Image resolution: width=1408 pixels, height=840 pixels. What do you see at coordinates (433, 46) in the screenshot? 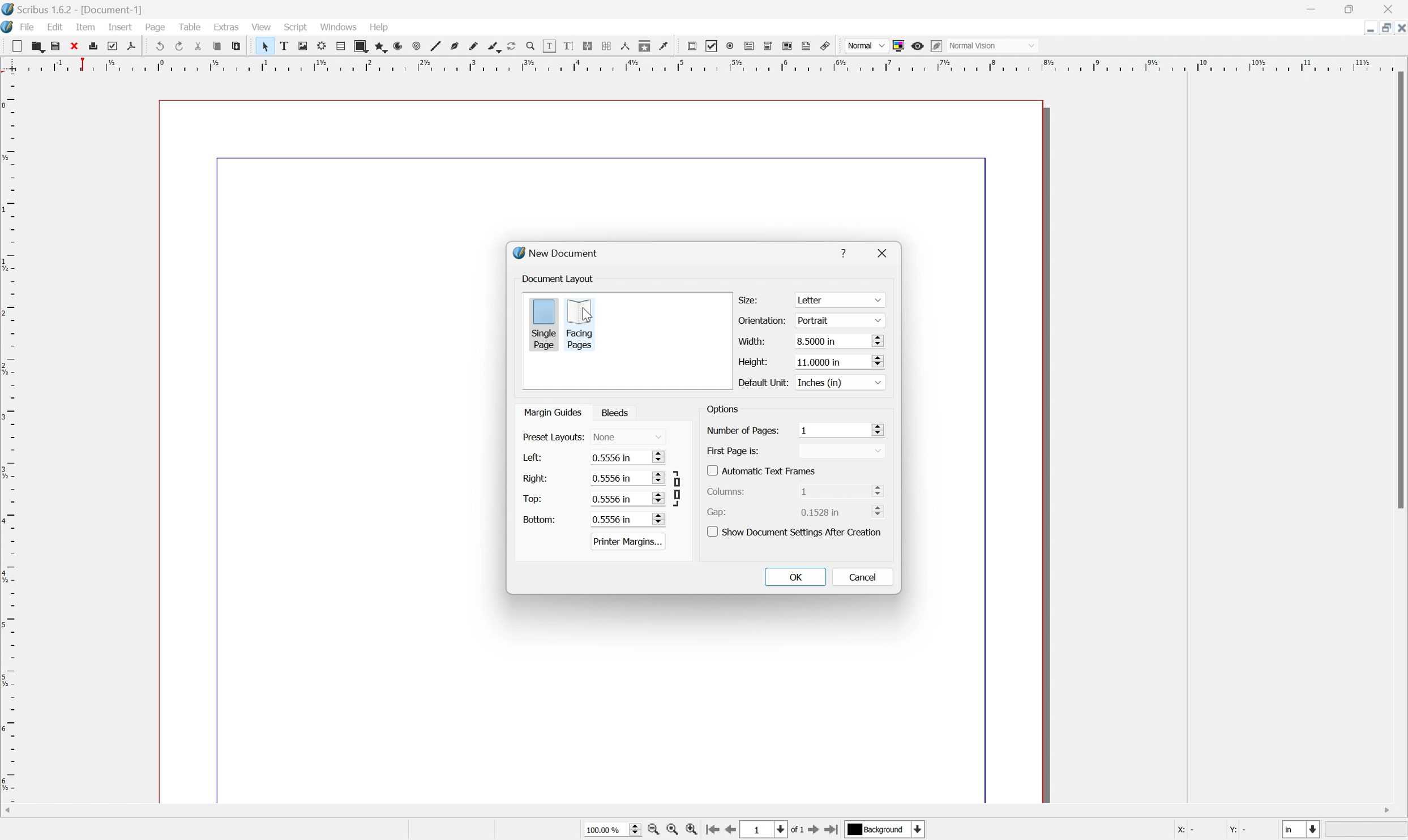
I see `Line` at bounding box center [433, 46].